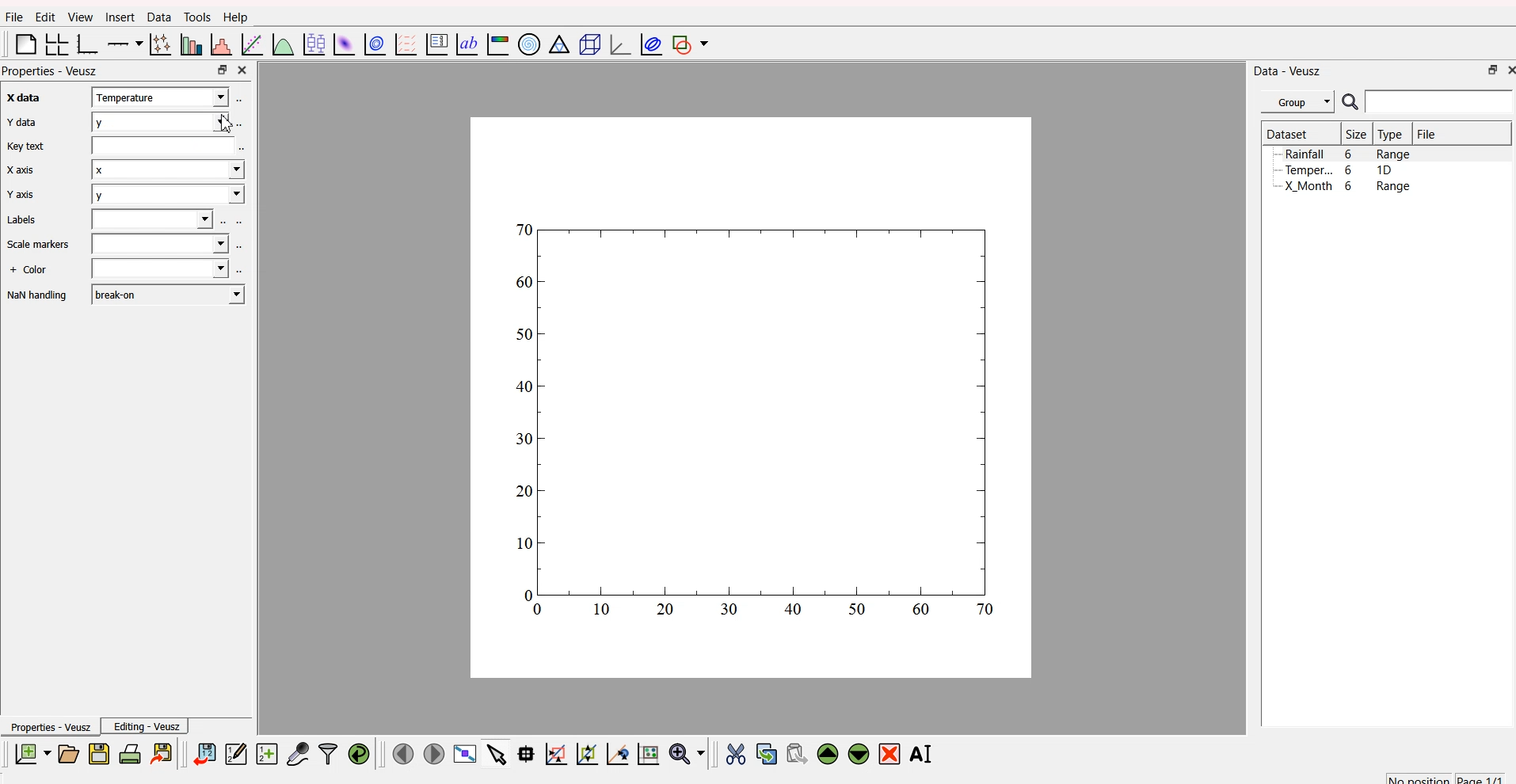 Image resolution: width=1516 pixels, height=784 pixels. Describe the element at coordinates (223, 45) in the screenshot. I see `histogram of dataset` at that location.